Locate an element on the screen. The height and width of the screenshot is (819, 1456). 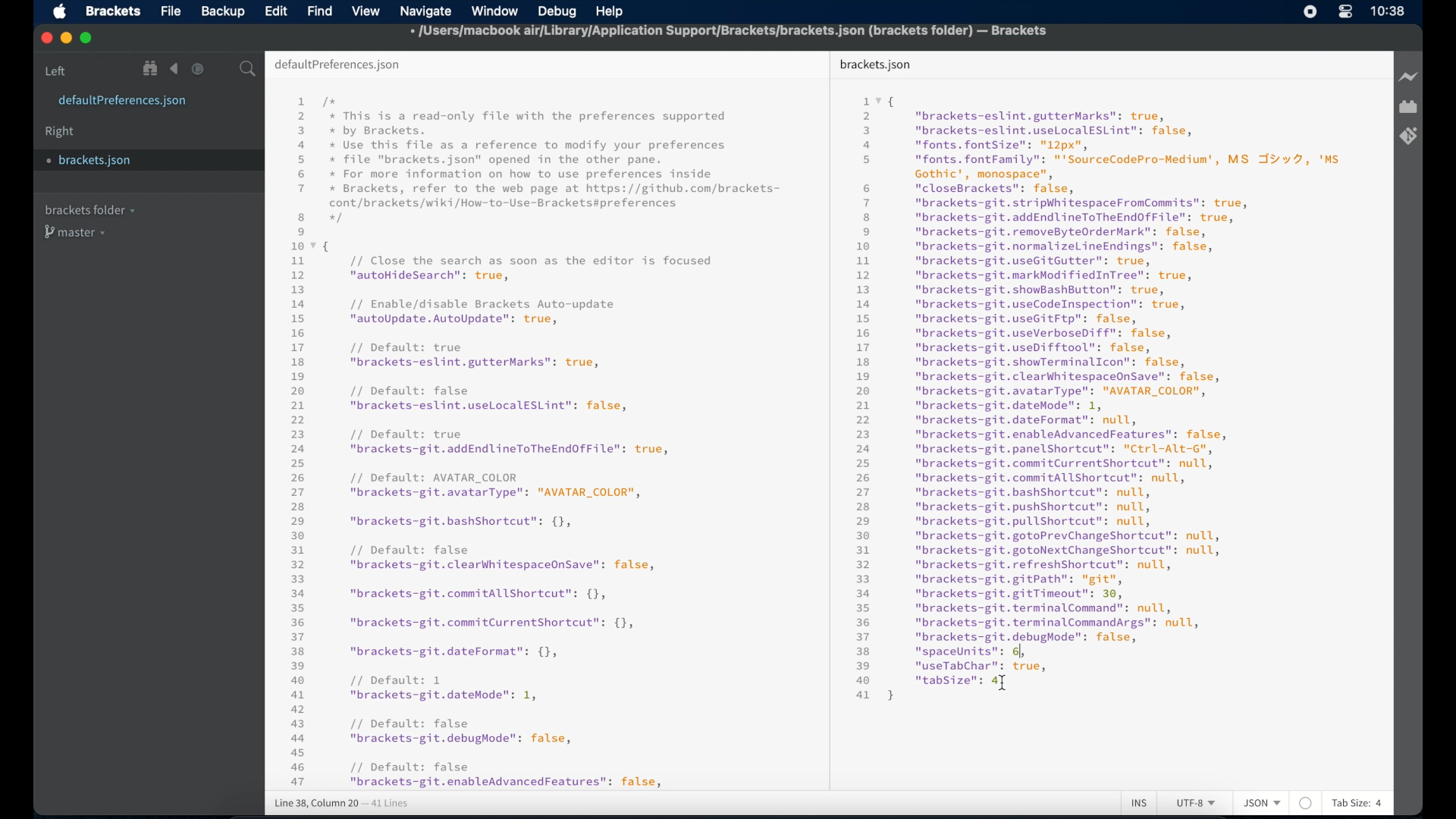
brackets.json is located at coordinates (875, 65).